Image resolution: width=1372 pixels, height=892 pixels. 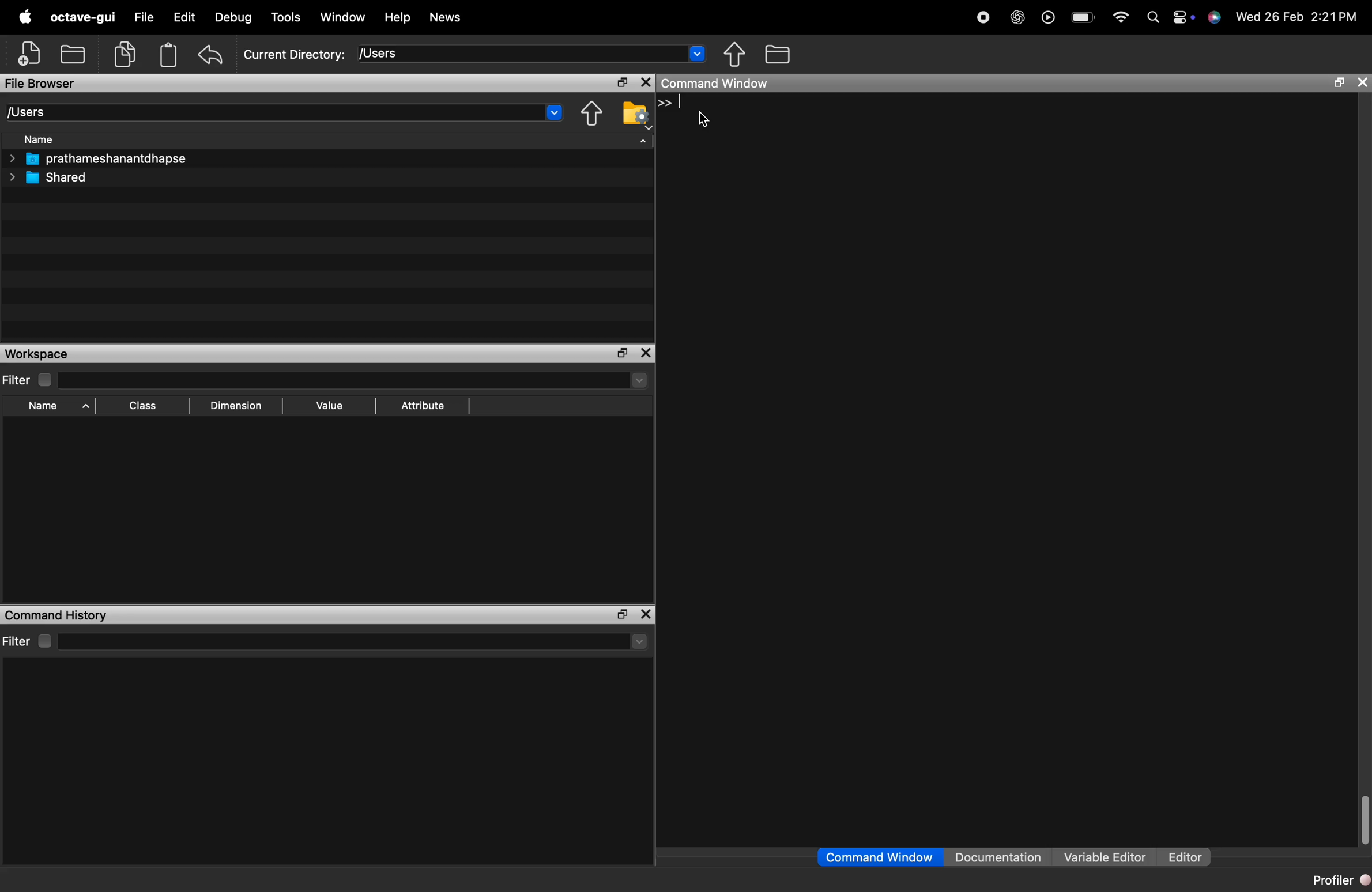 I want to click on empty command history, so click(x=323, y=767).